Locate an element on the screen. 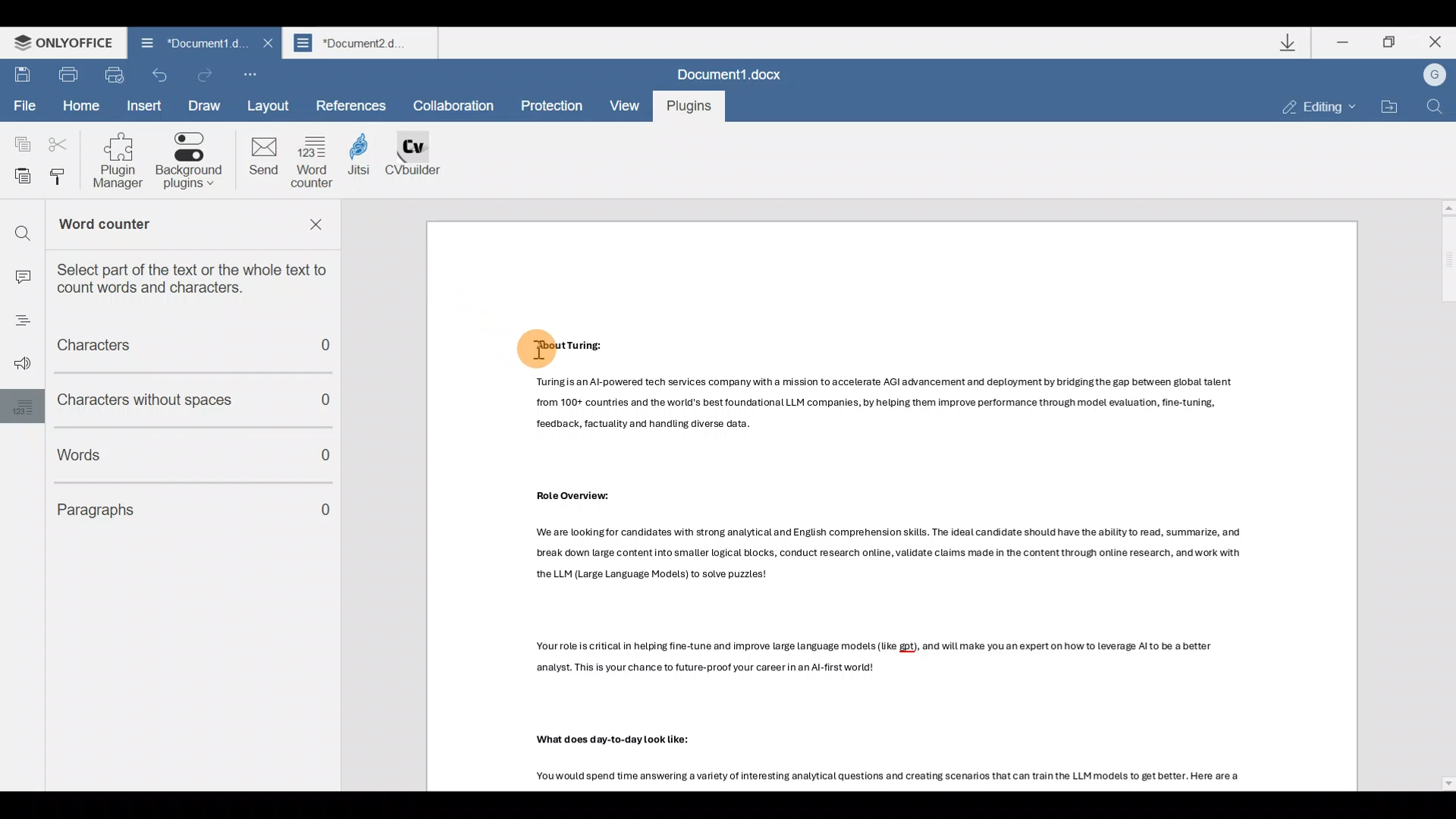 This screenshot has height=819, width=1456. words setting is located at coordinates (19, 406).